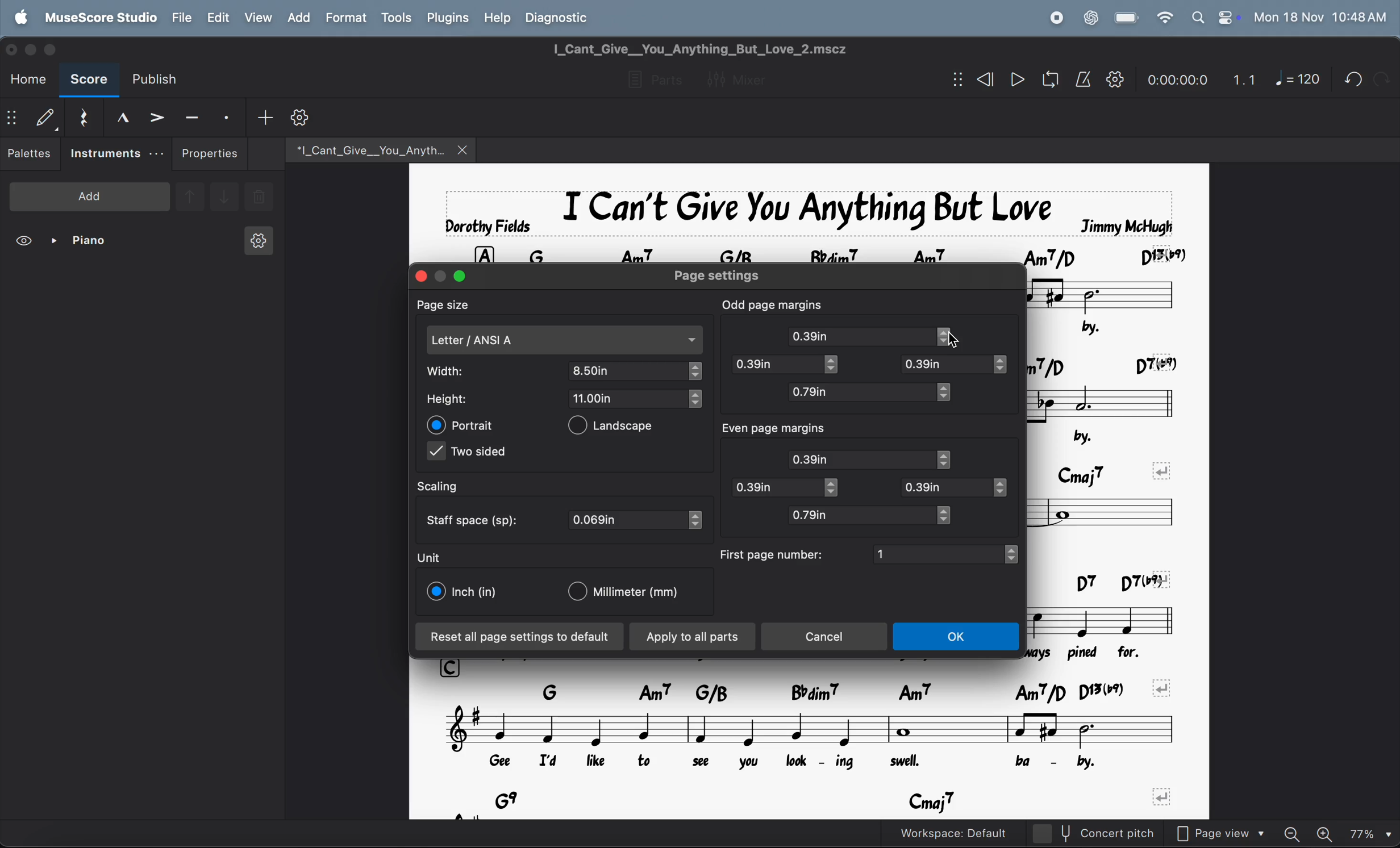  What do you see at coordinates (1122, 330) in the screenshot?
I see `lyrics` at bounding box center [1122, 330].